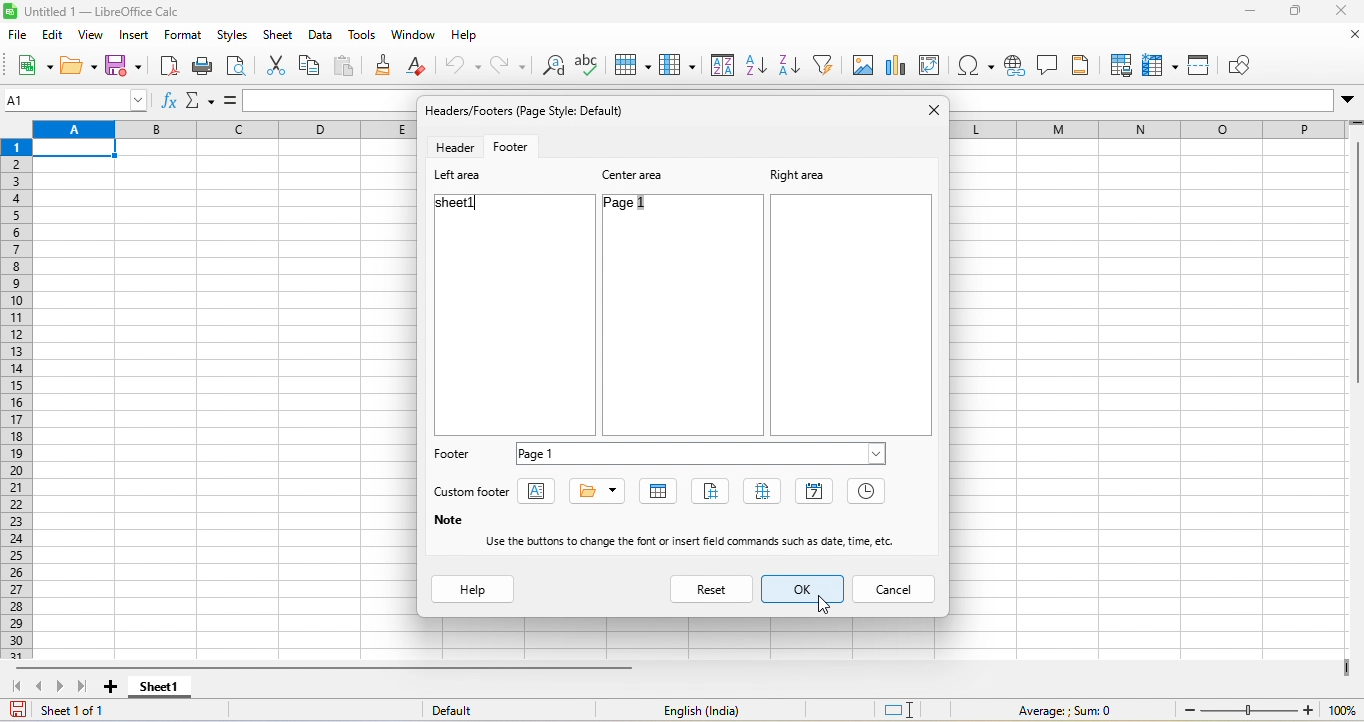  I want to click on page, so click(715, 491).